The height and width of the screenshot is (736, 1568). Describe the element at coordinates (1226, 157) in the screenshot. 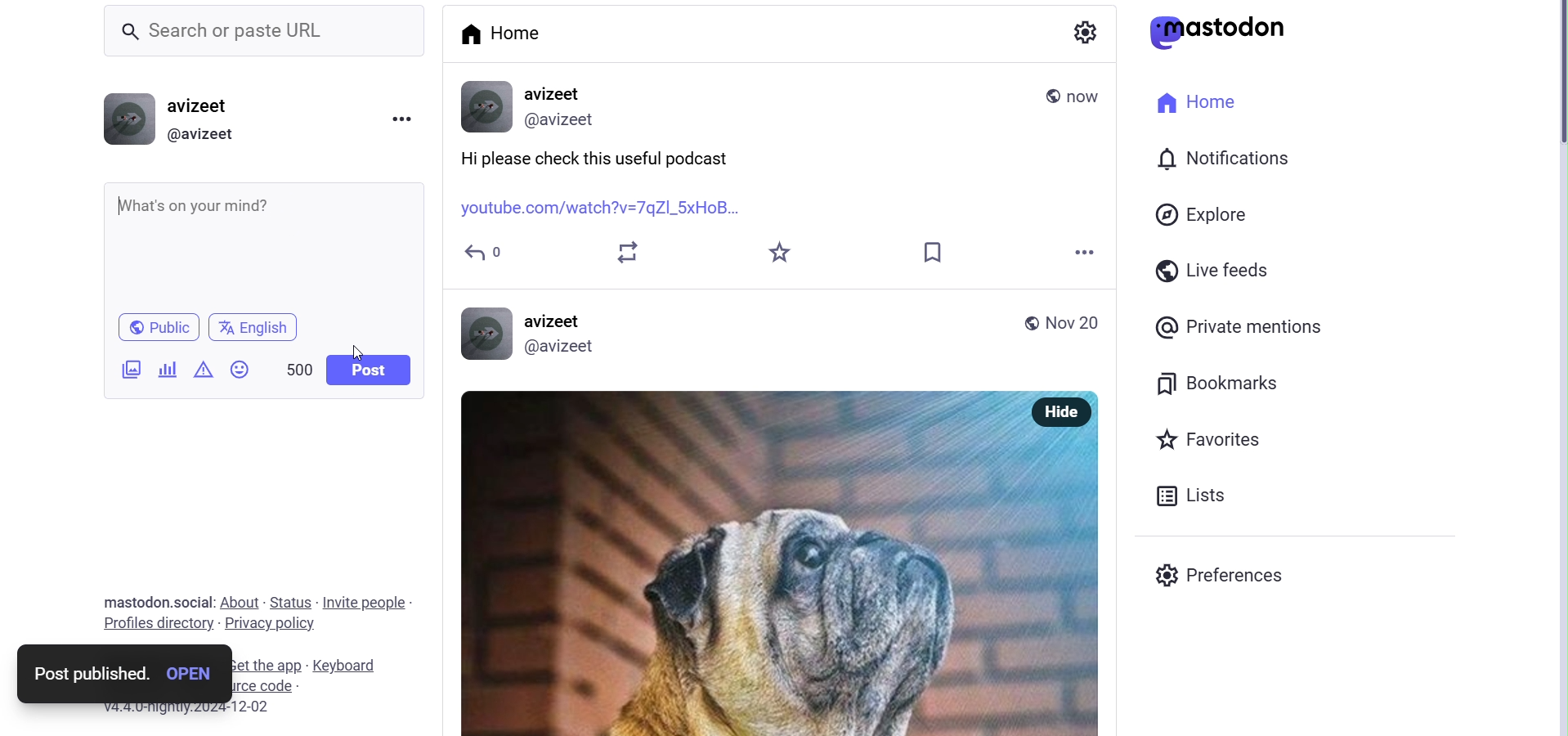

I see `notification` at that location.